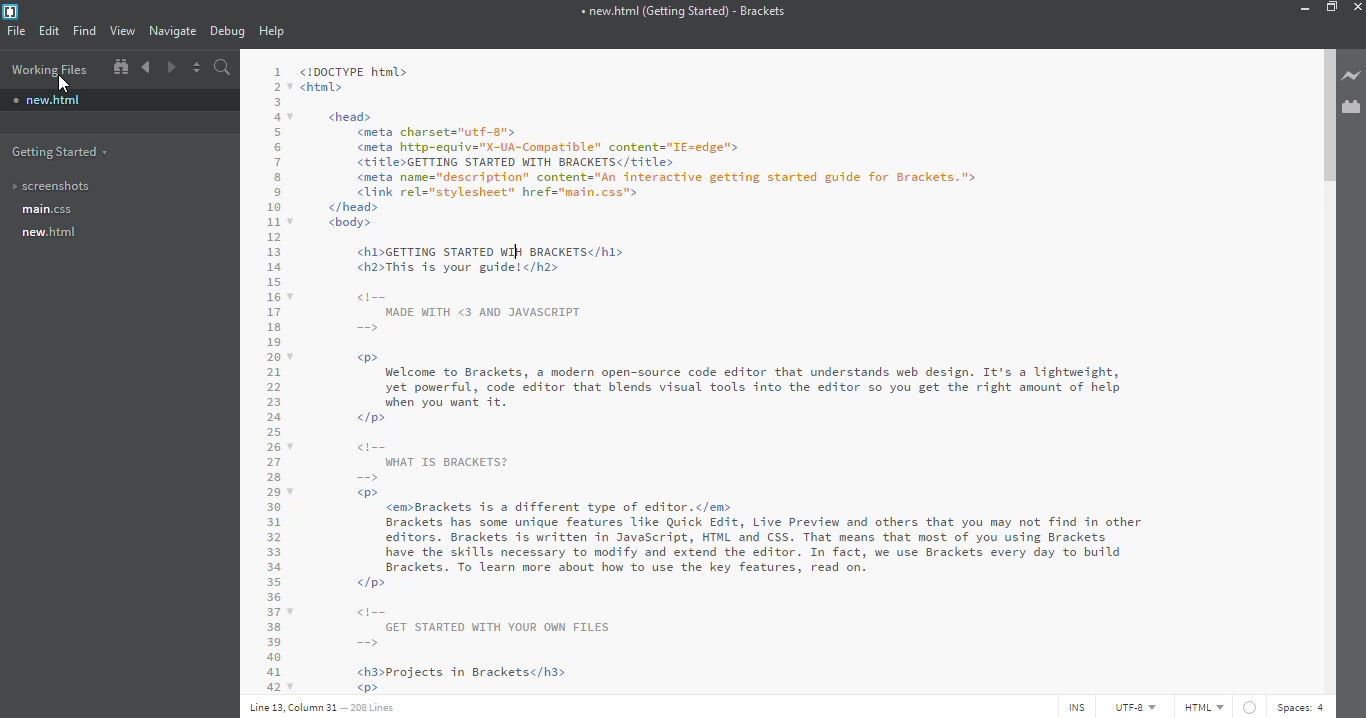 The image size is (1366, 718). I want to click on close, so click(1358, 6).